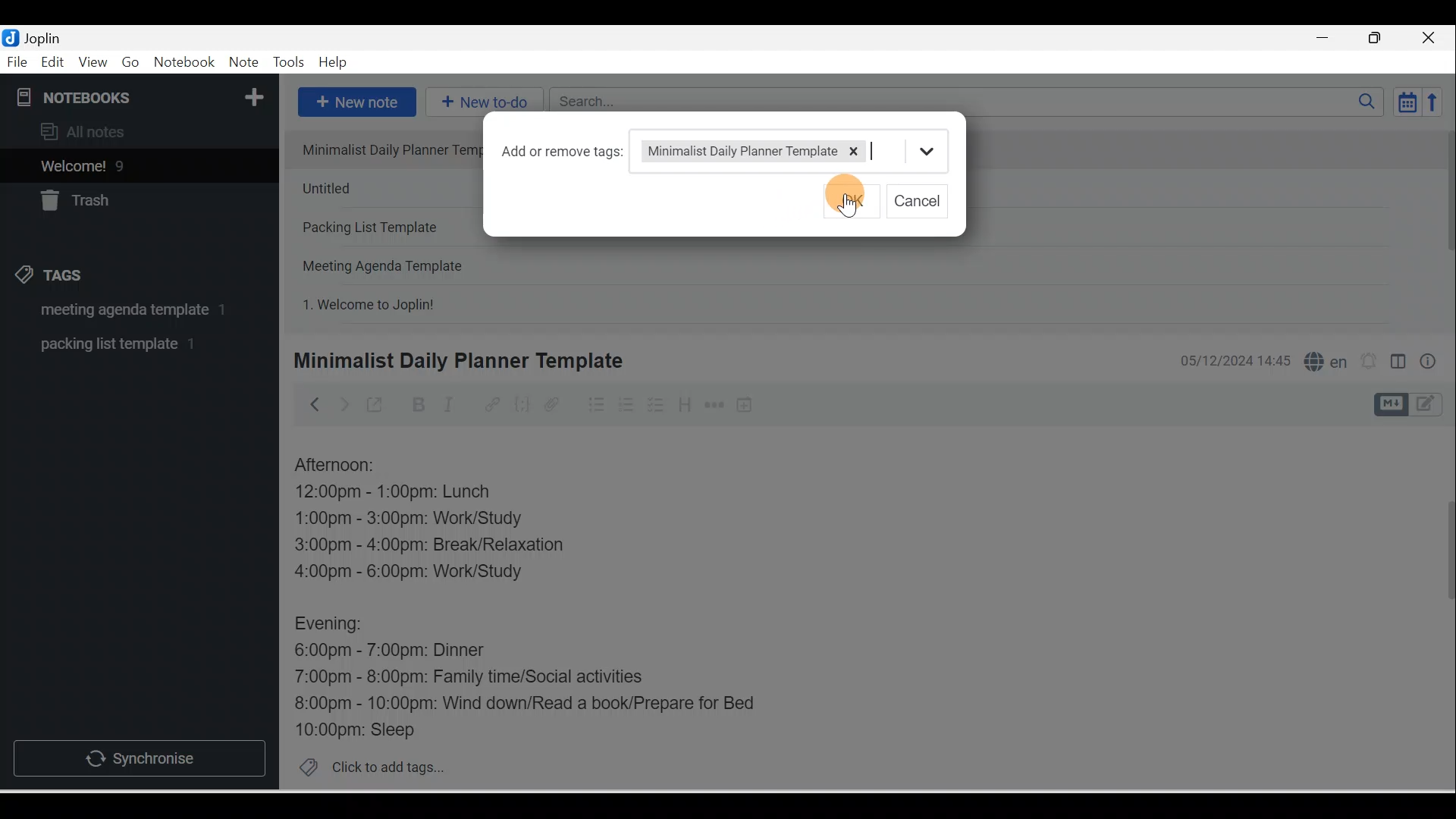  What do you see at coordinates (415, 572) in the screenshot?
I see `4:00pm - 6:00pm: Work/Study` at bounding box center [415, 572].